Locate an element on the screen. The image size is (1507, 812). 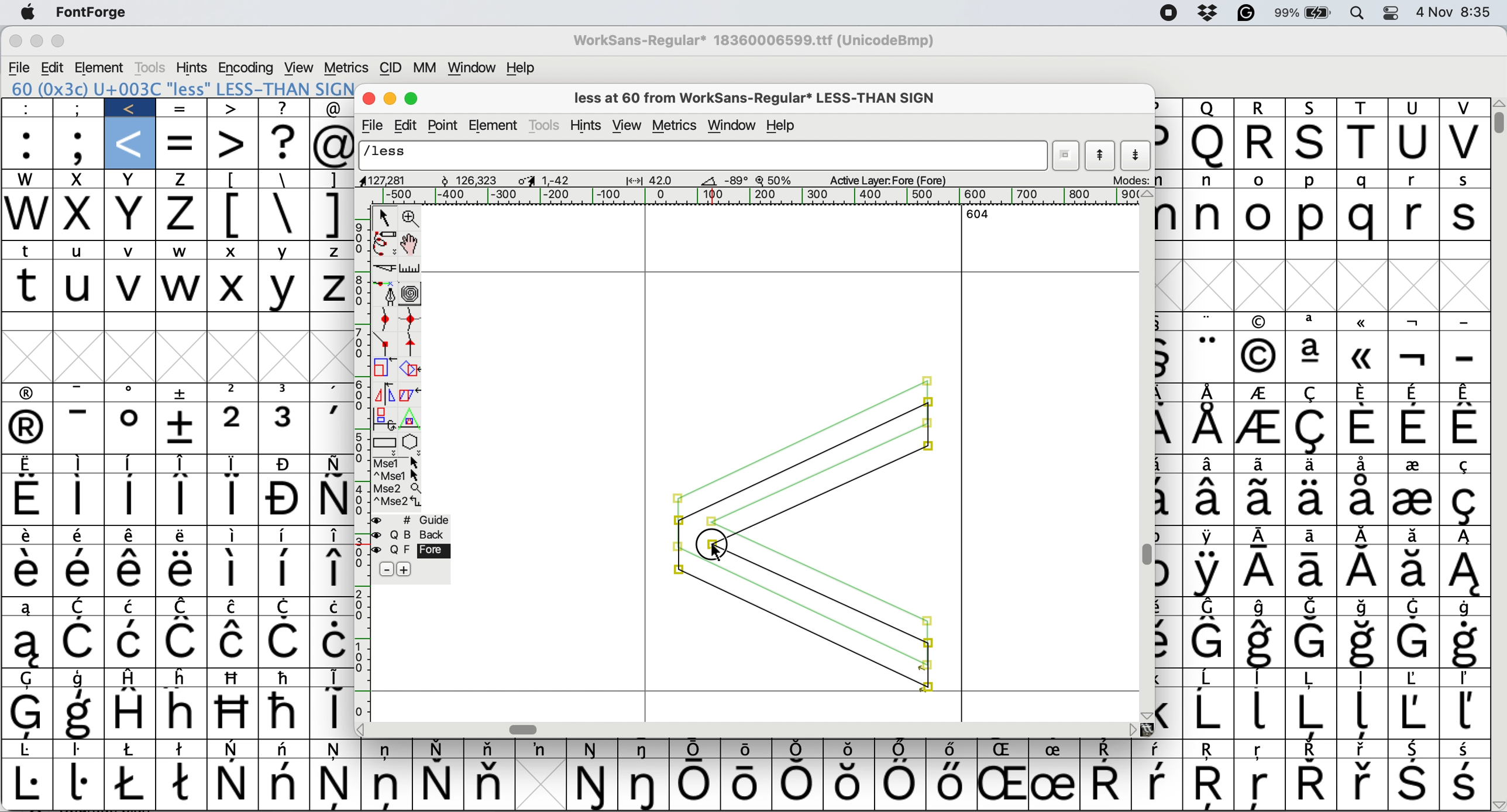
select is located at coordinates (383, 219).